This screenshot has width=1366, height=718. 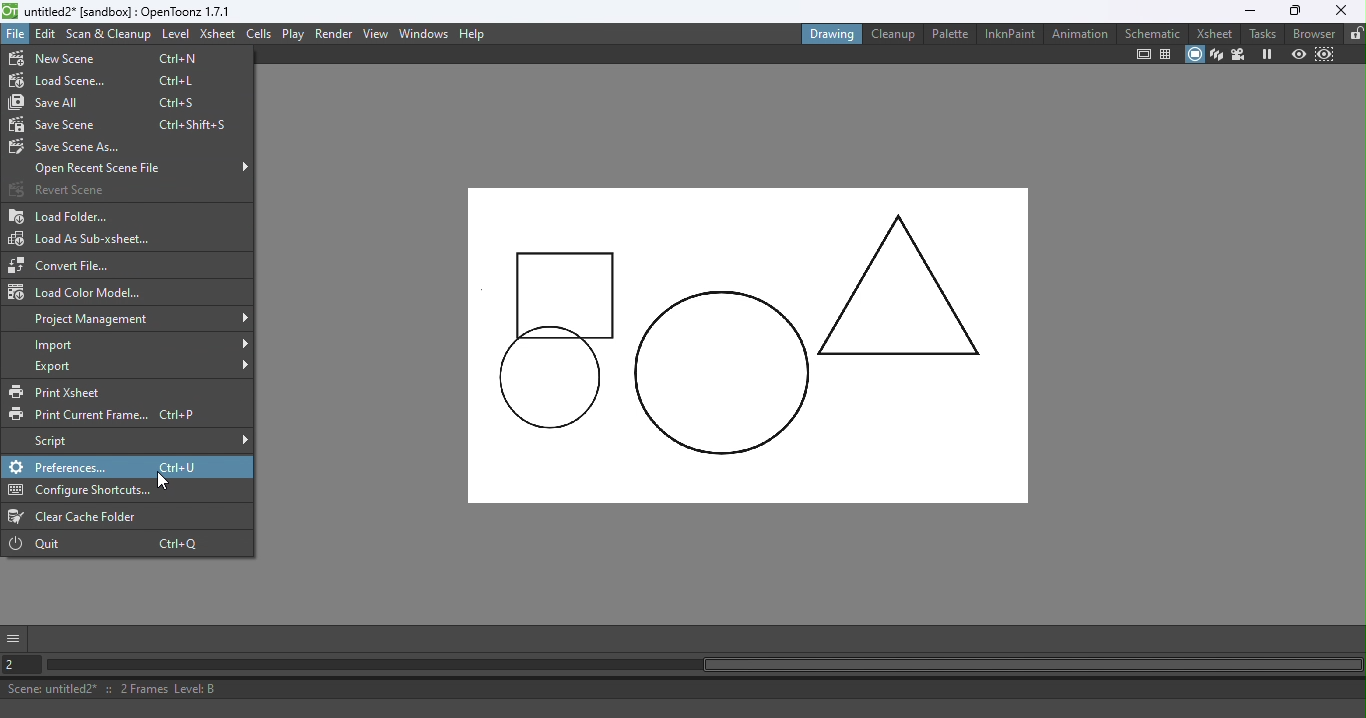 I want to click on Tasks, so click(x=1262, y=32).